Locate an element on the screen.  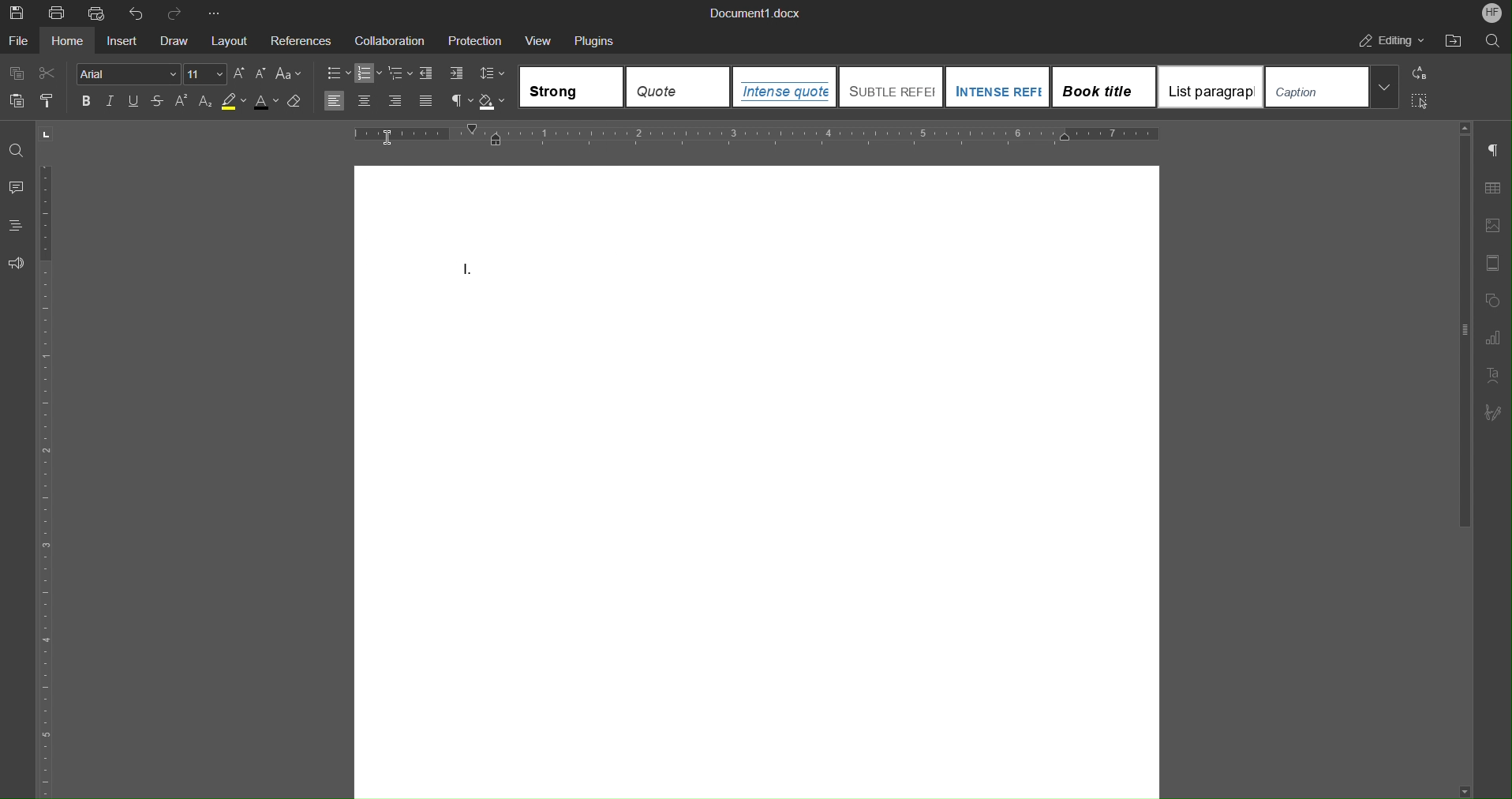
Cut is located at coordinates (47, 73).